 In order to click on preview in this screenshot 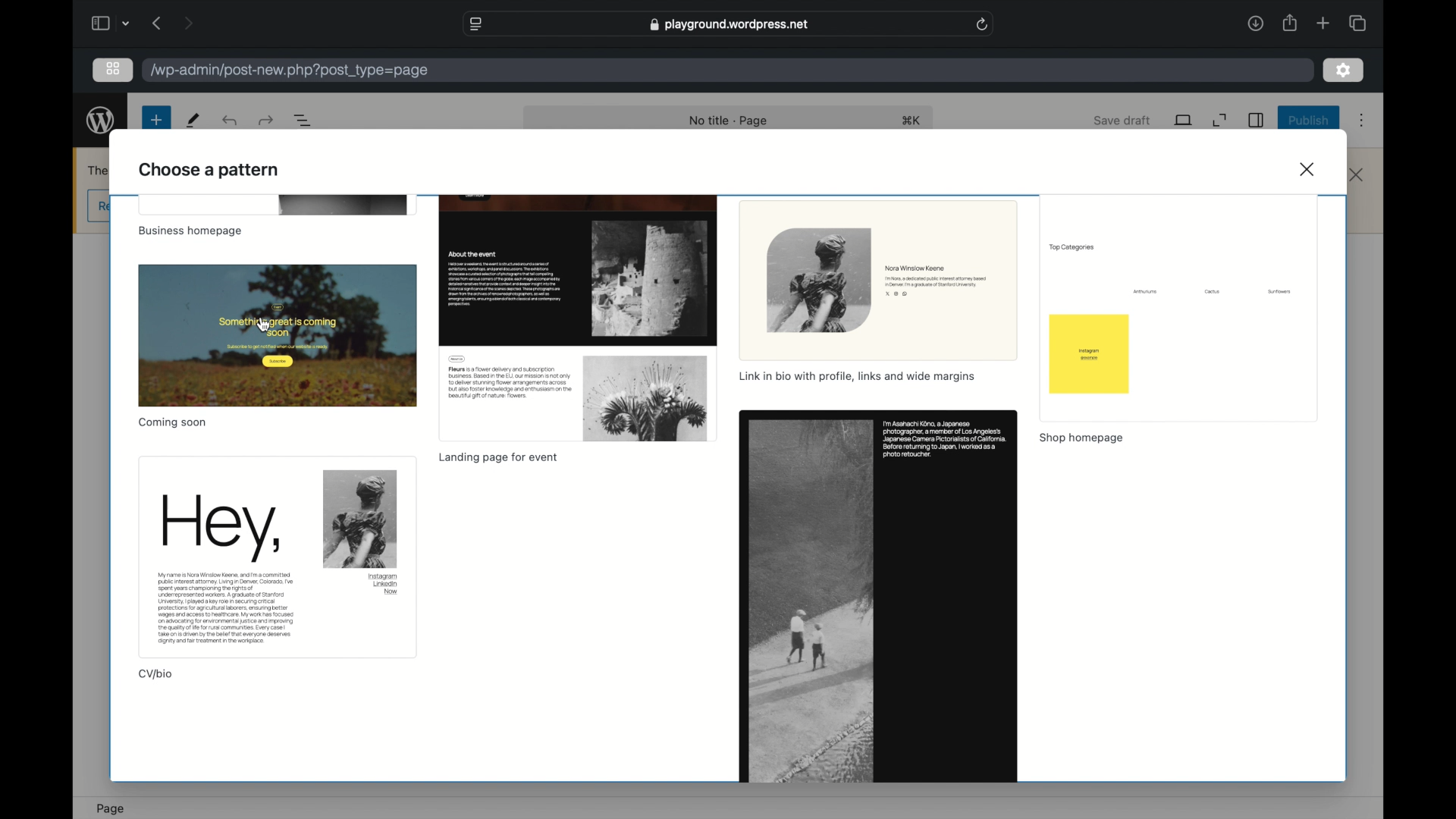, I will do `click(879, 596)`.